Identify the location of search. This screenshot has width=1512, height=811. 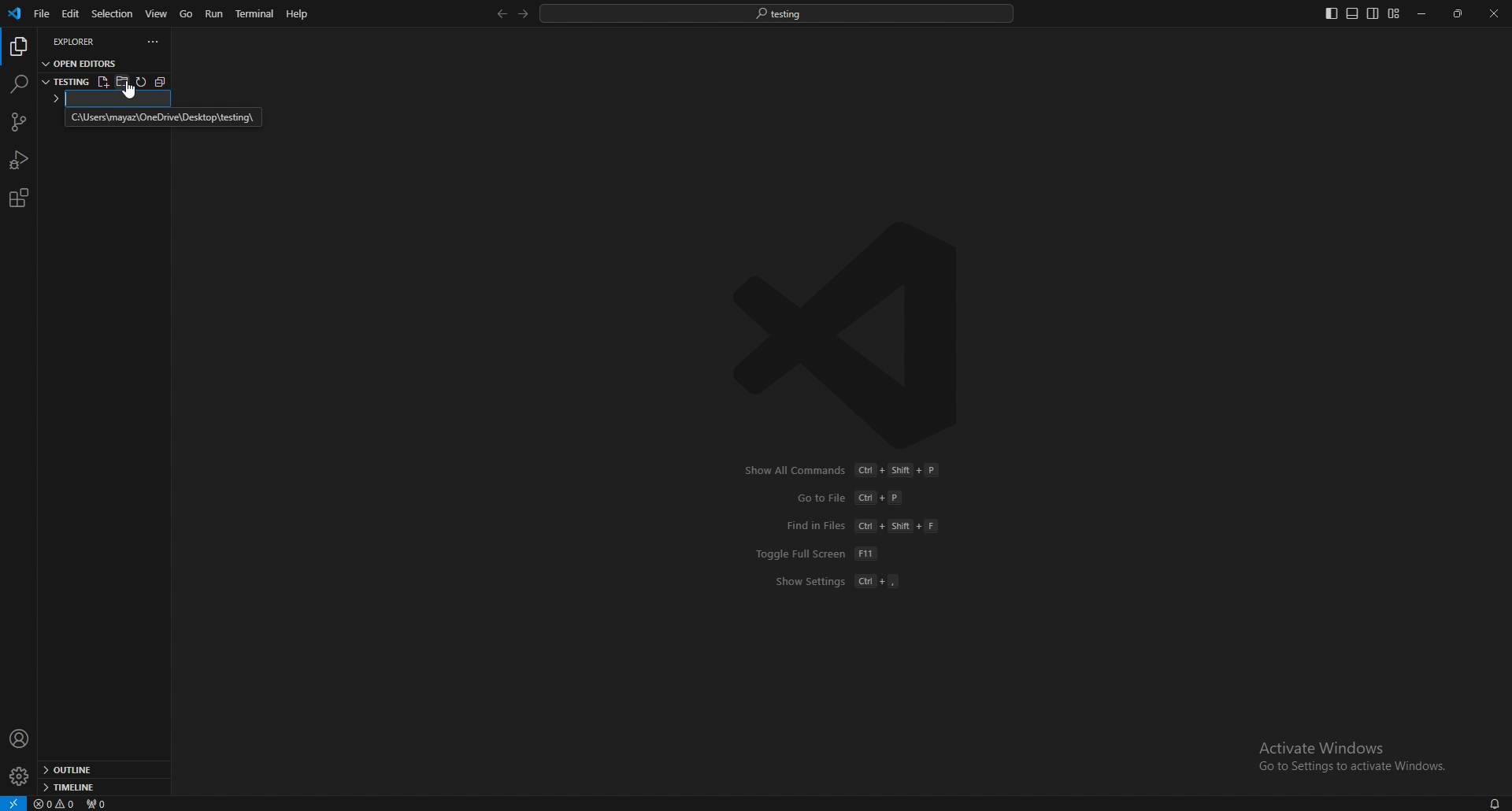
(18, 83).